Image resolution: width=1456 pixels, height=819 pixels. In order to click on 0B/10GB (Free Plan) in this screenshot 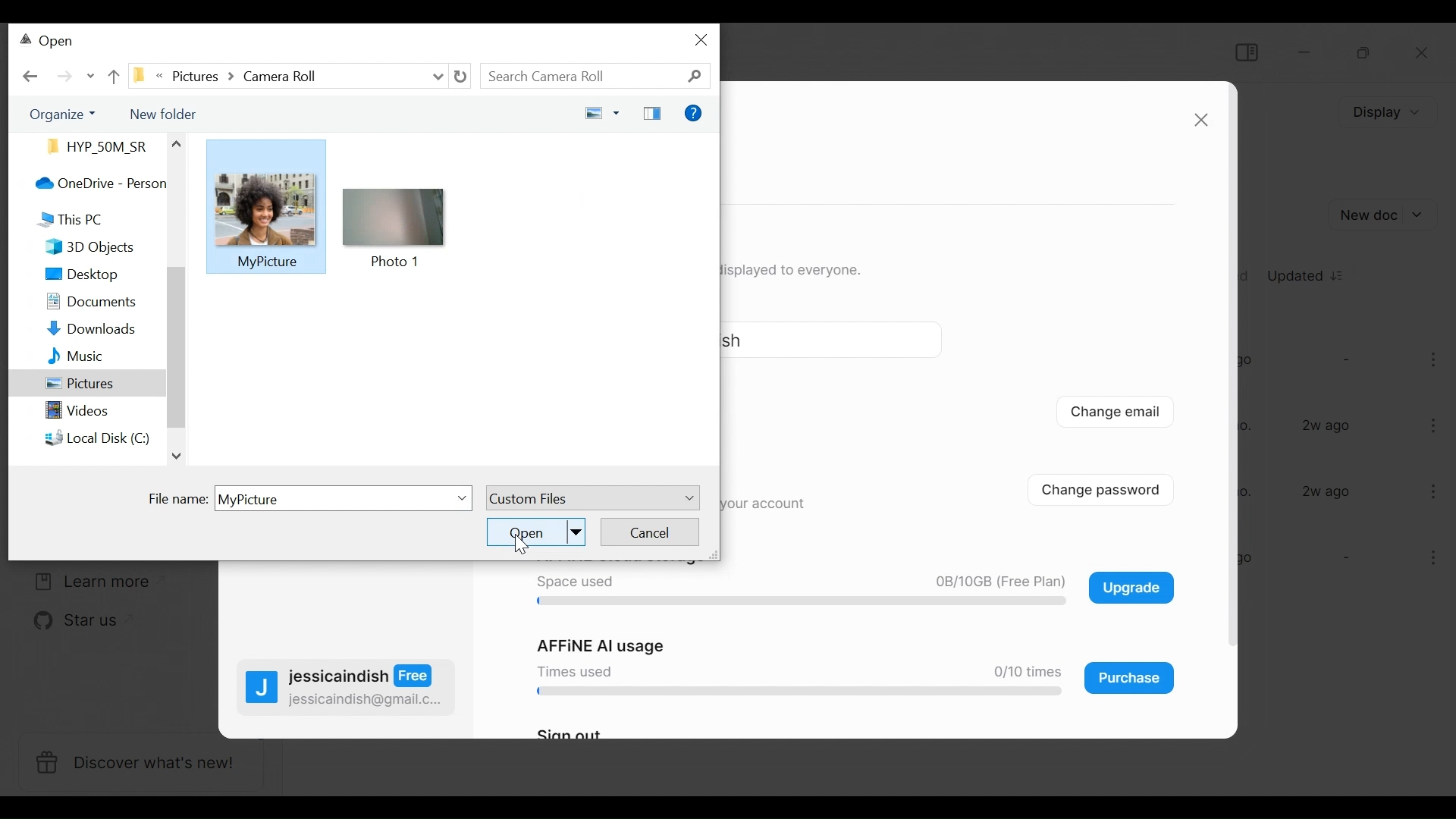, I will do `click(995, 582)`.